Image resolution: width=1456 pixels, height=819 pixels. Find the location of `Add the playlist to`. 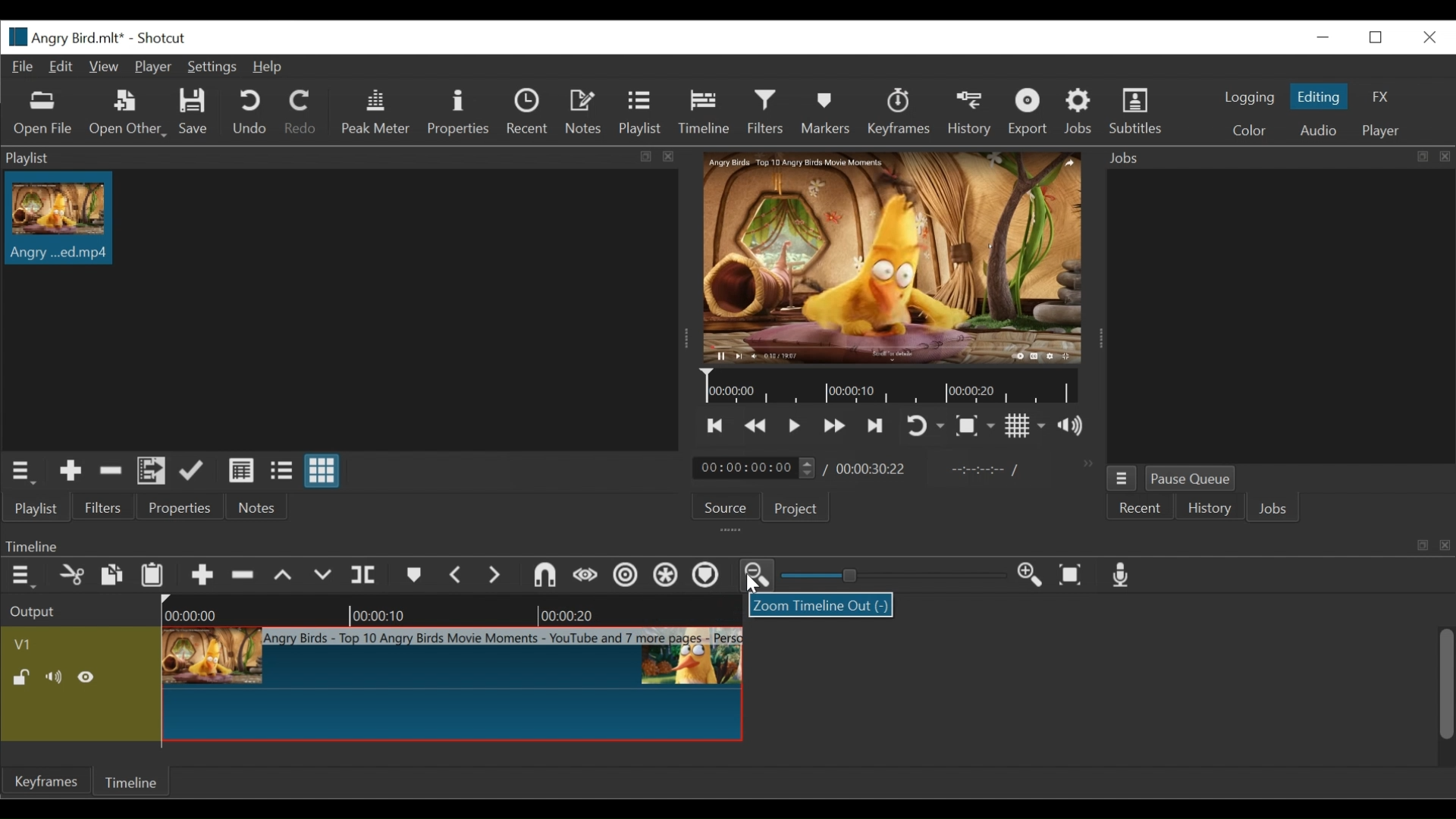

Add the playlist to is located at coordinates (152, 471).